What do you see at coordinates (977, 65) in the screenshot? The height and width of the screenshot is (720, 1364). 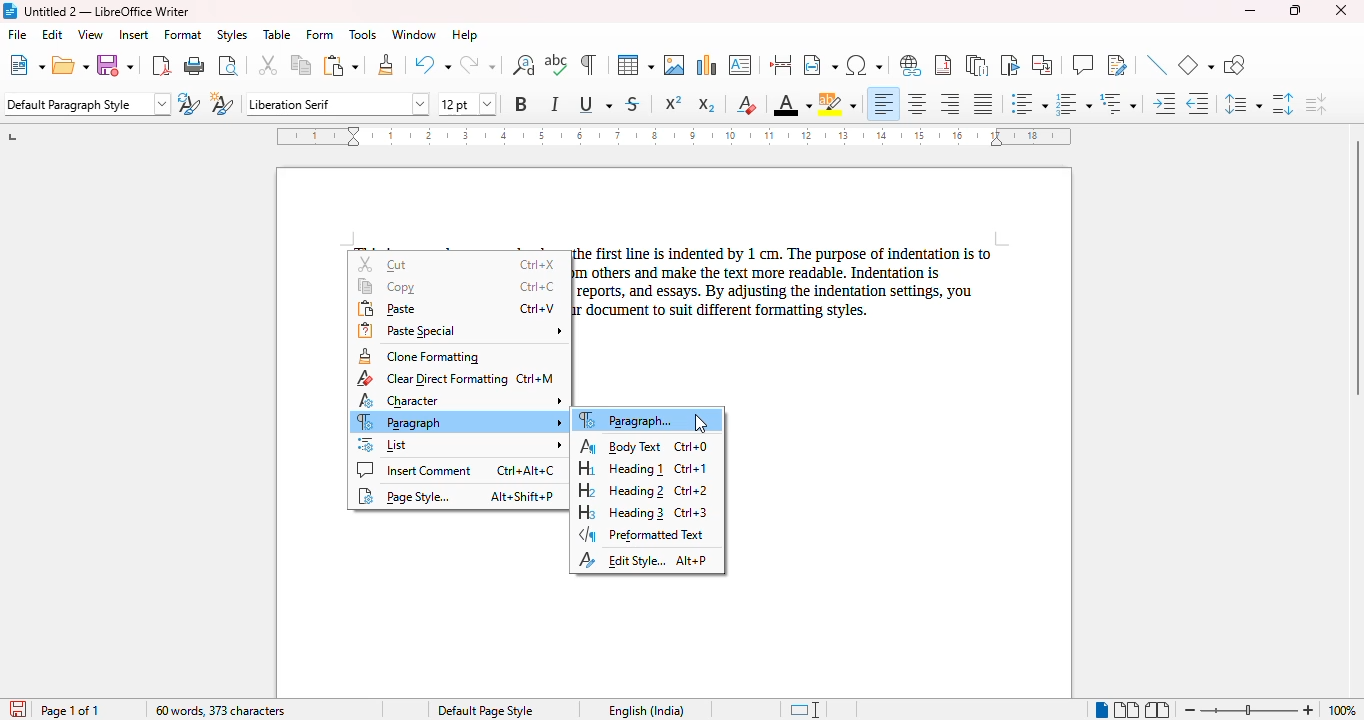 I see `insert endnote` at bounding box center [977, 65].